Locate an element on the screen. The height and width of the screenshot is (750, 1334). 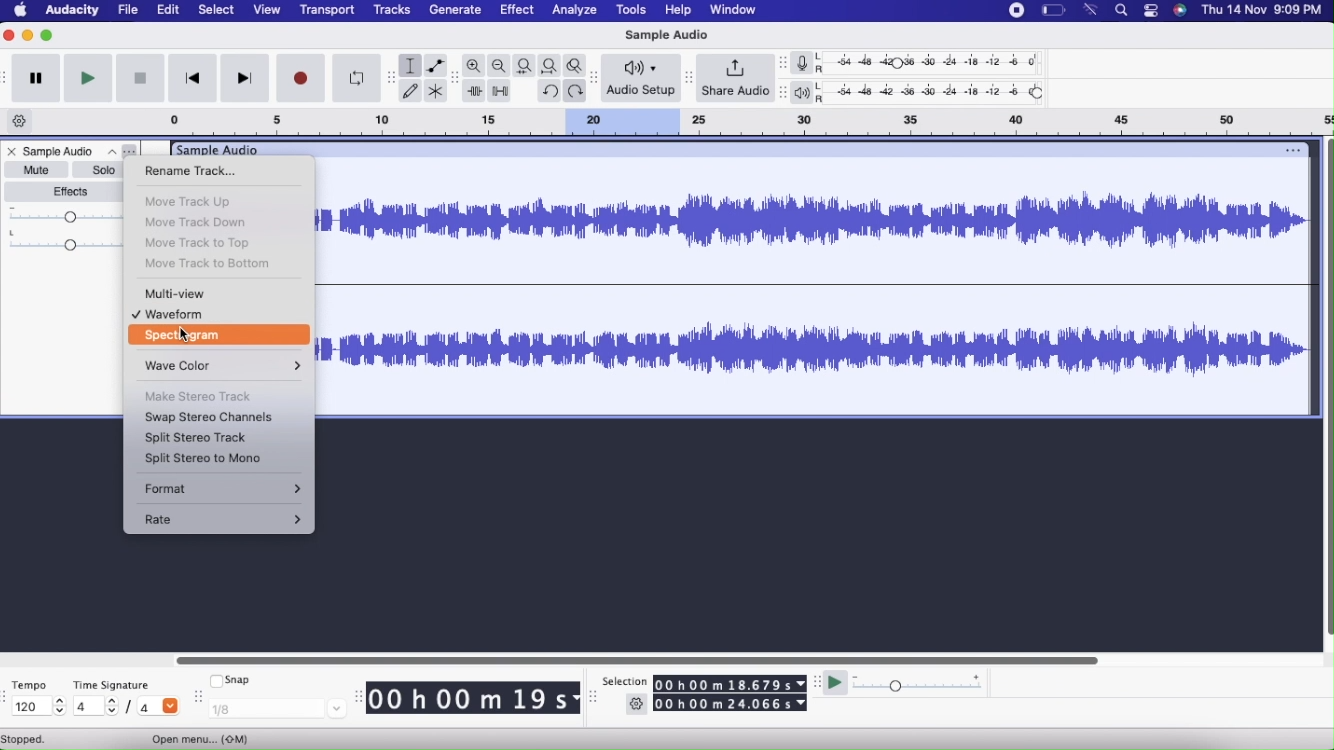
Record meter is located at coordinates (808, 63).